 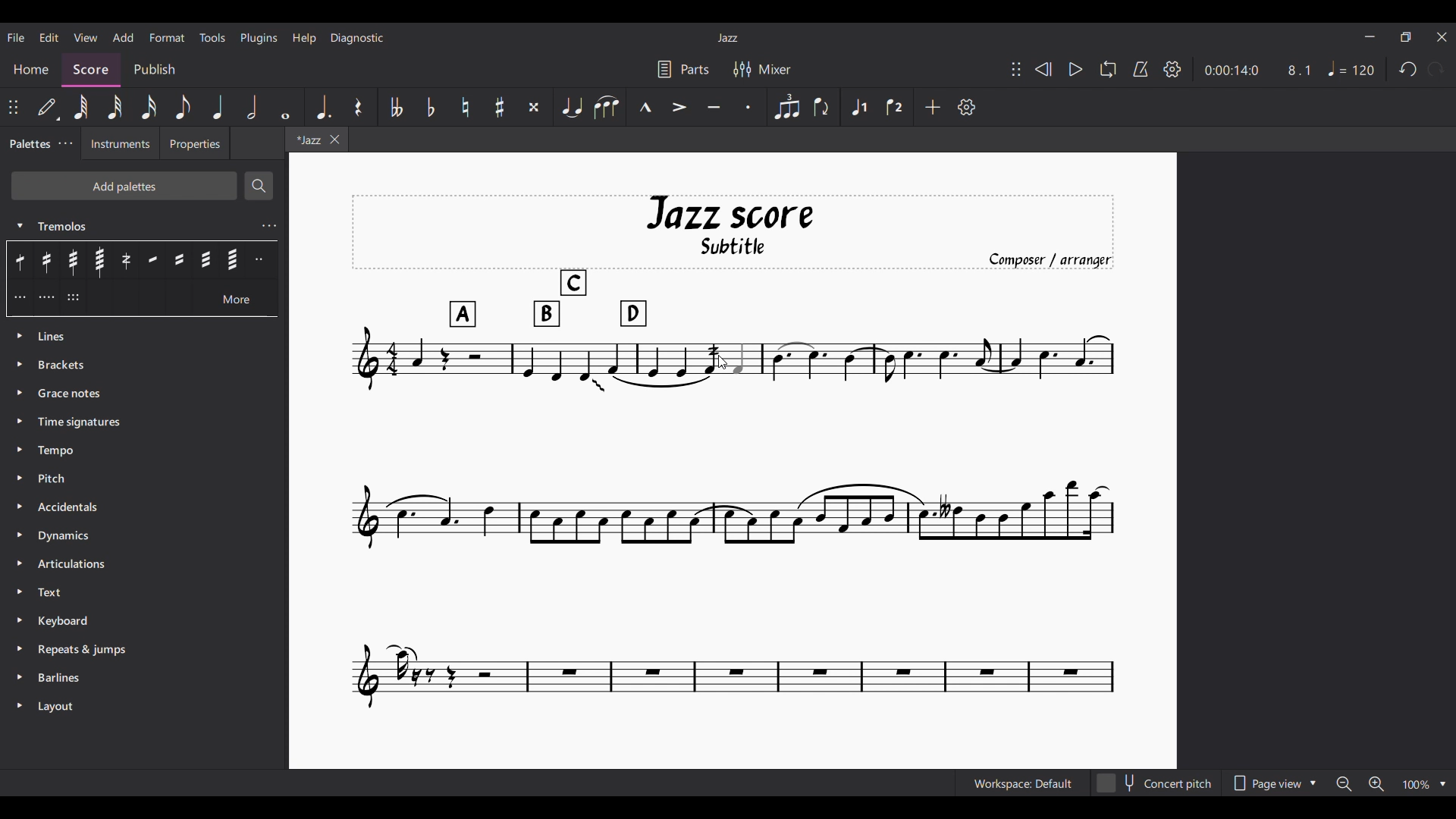 What do you see at coordinates (1370, 36) in the screenshot?
I see `Minimize` at bounding box center [1370, 36].